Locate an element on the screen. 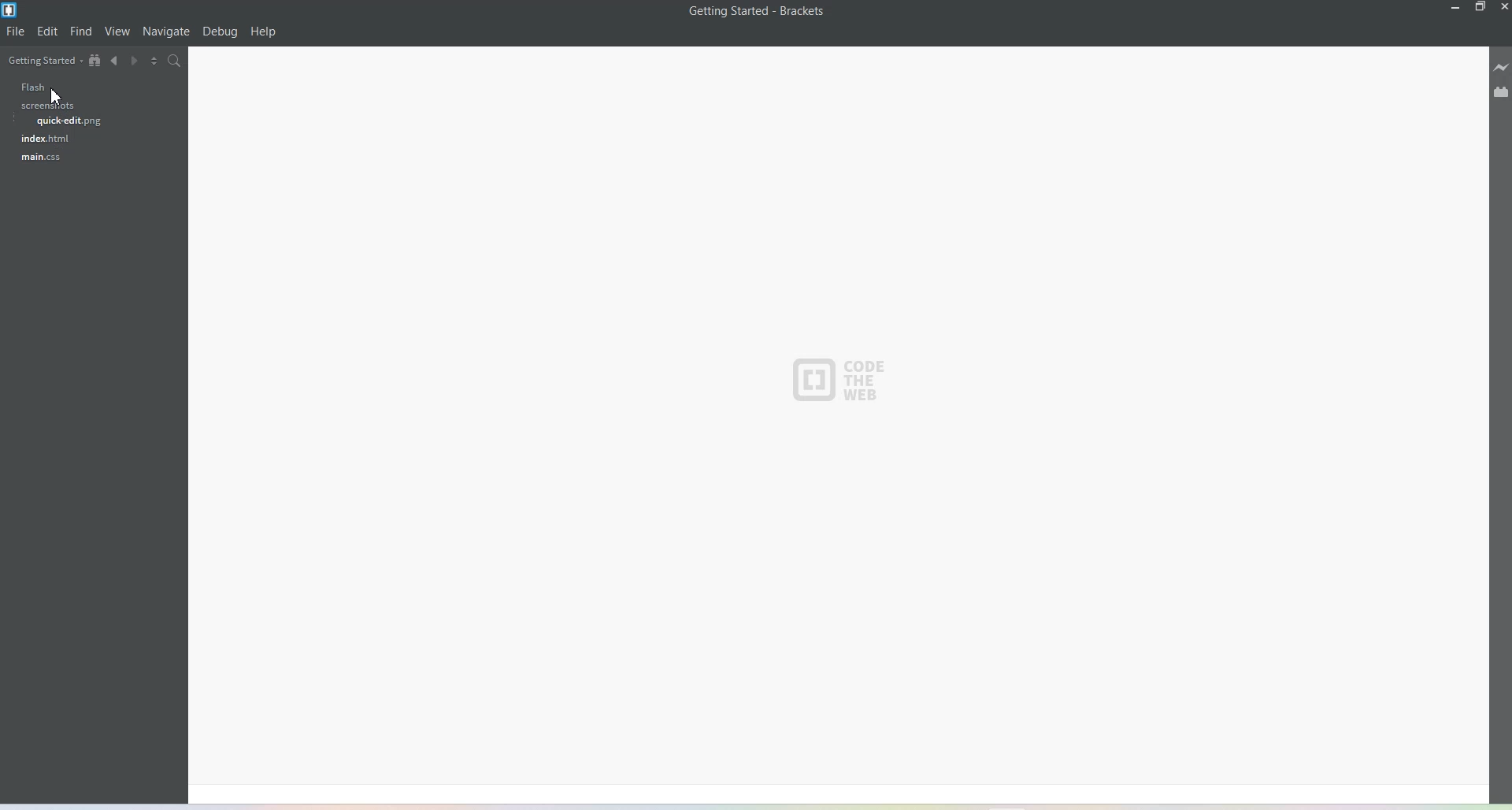  Navigate Backwards is located at coordinates (116, 63).